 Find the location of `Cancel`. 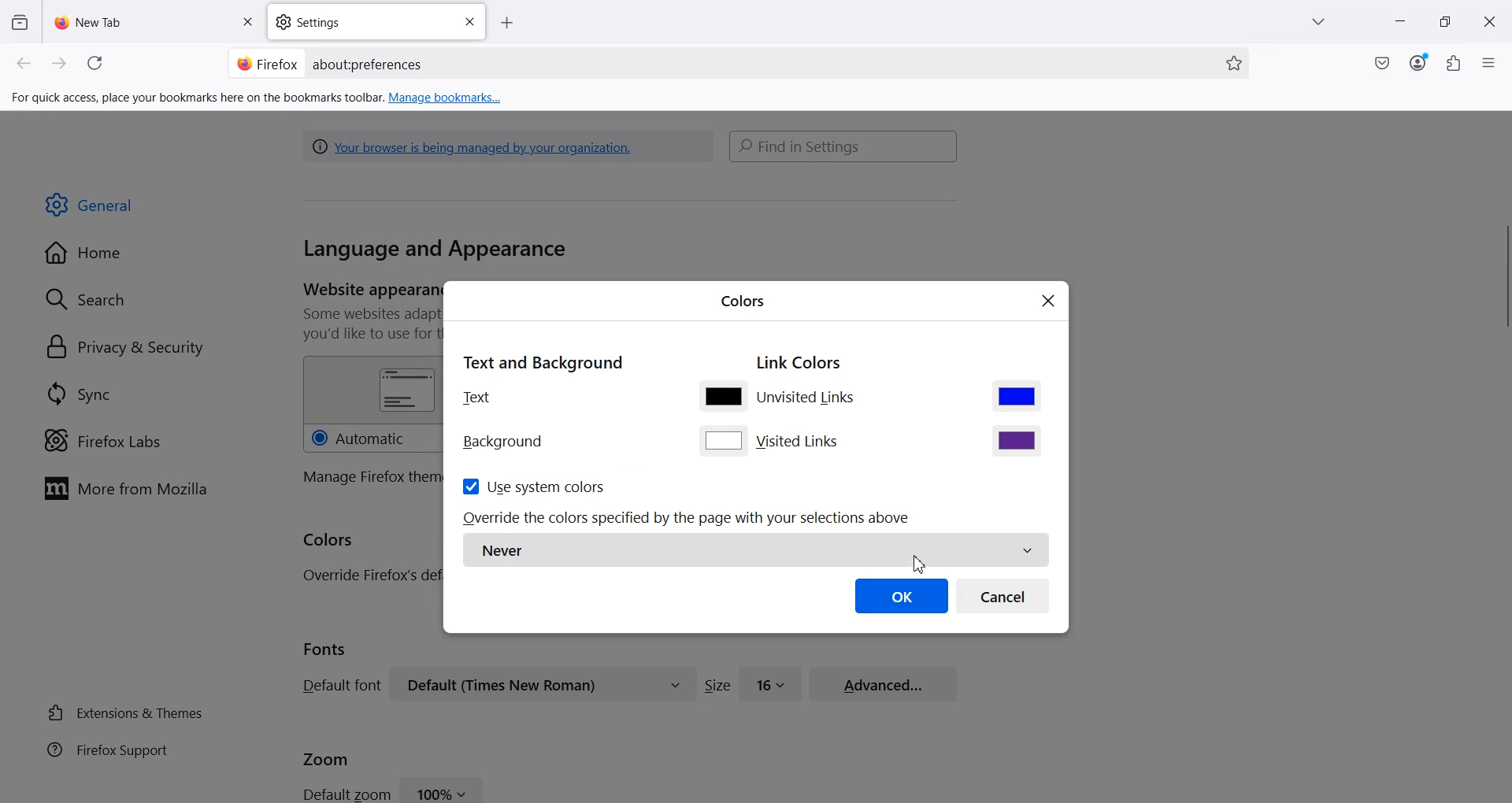

Cancel is located at coordinates (1003, 595).